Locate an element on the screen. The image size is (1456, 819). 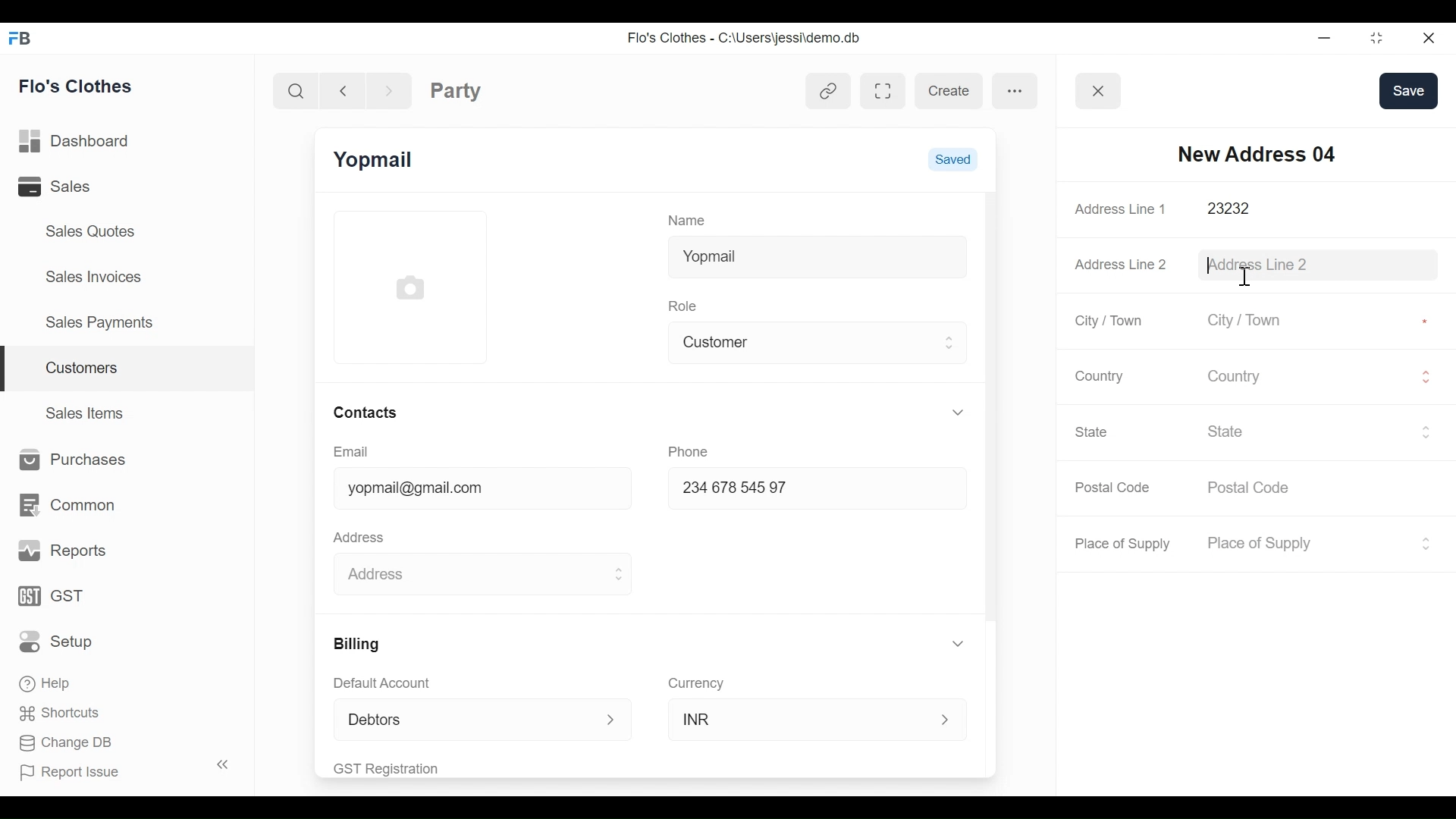
Shortcuts is located at coordinates (55, 712).